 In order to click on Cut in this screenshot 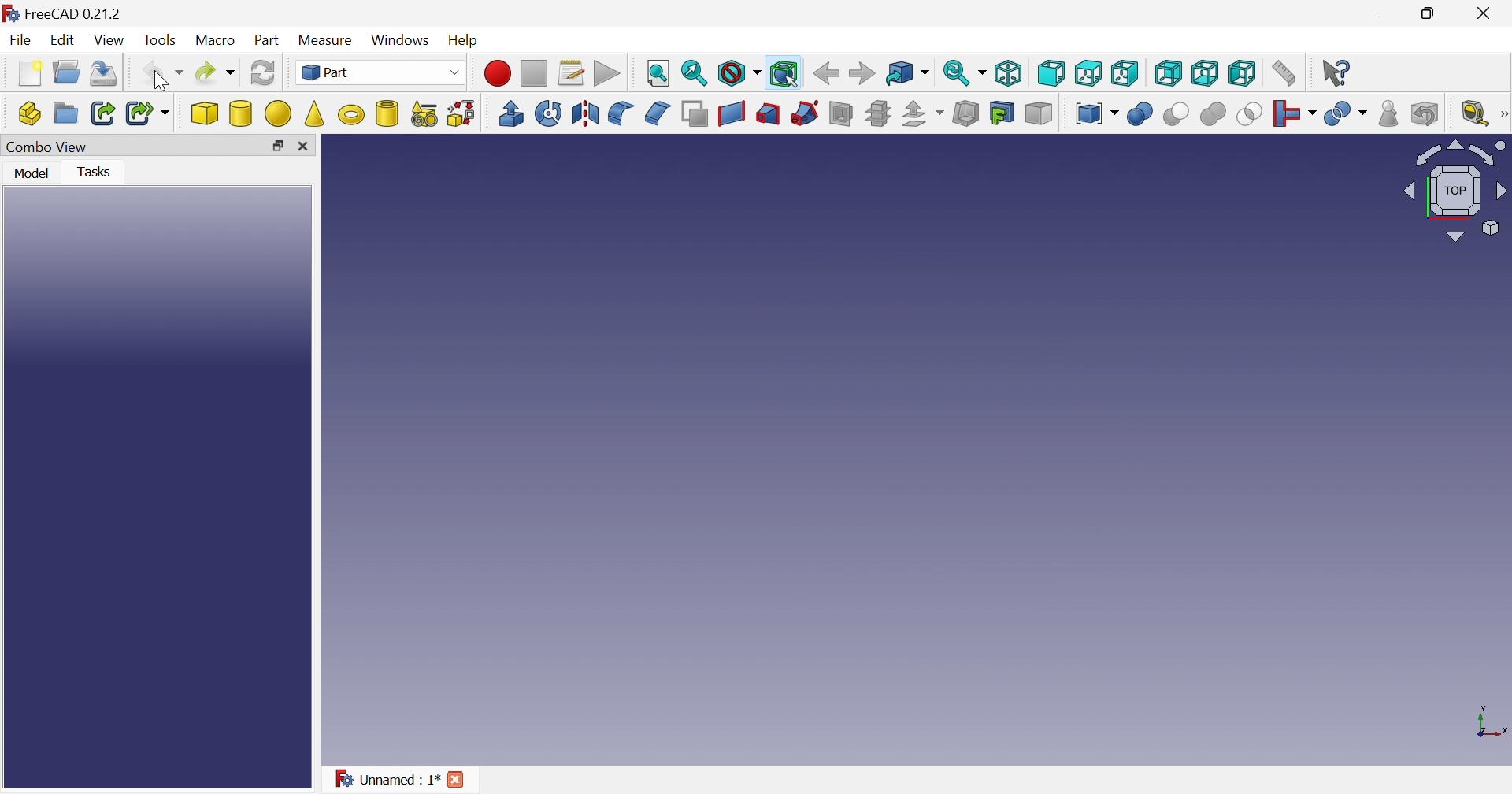, I will do `click(1177, 116)`.